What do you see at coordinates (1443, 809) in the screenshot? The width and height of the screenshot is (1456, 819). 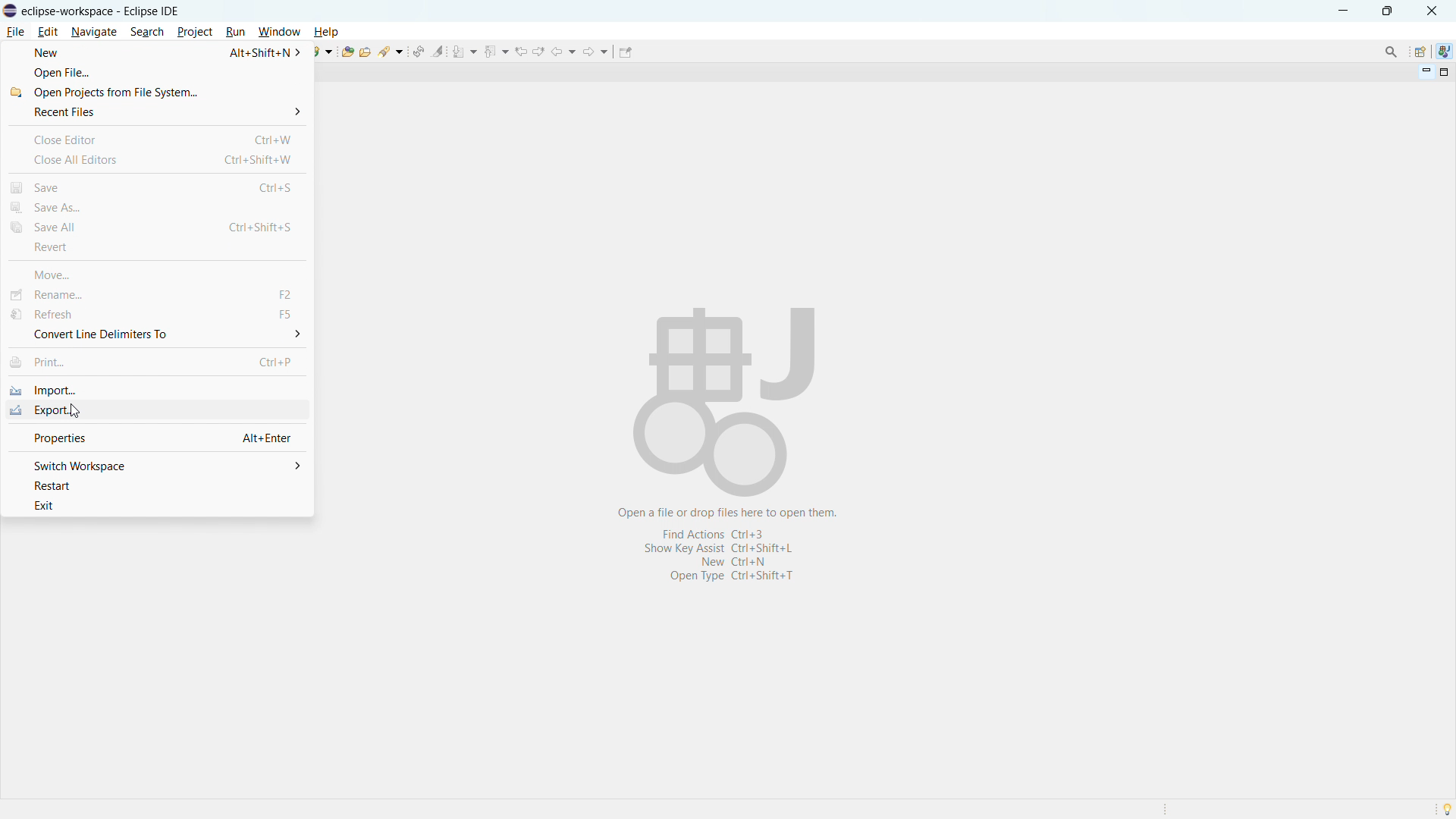 I see `Tip of the day` at bounding box center [1443, 809].